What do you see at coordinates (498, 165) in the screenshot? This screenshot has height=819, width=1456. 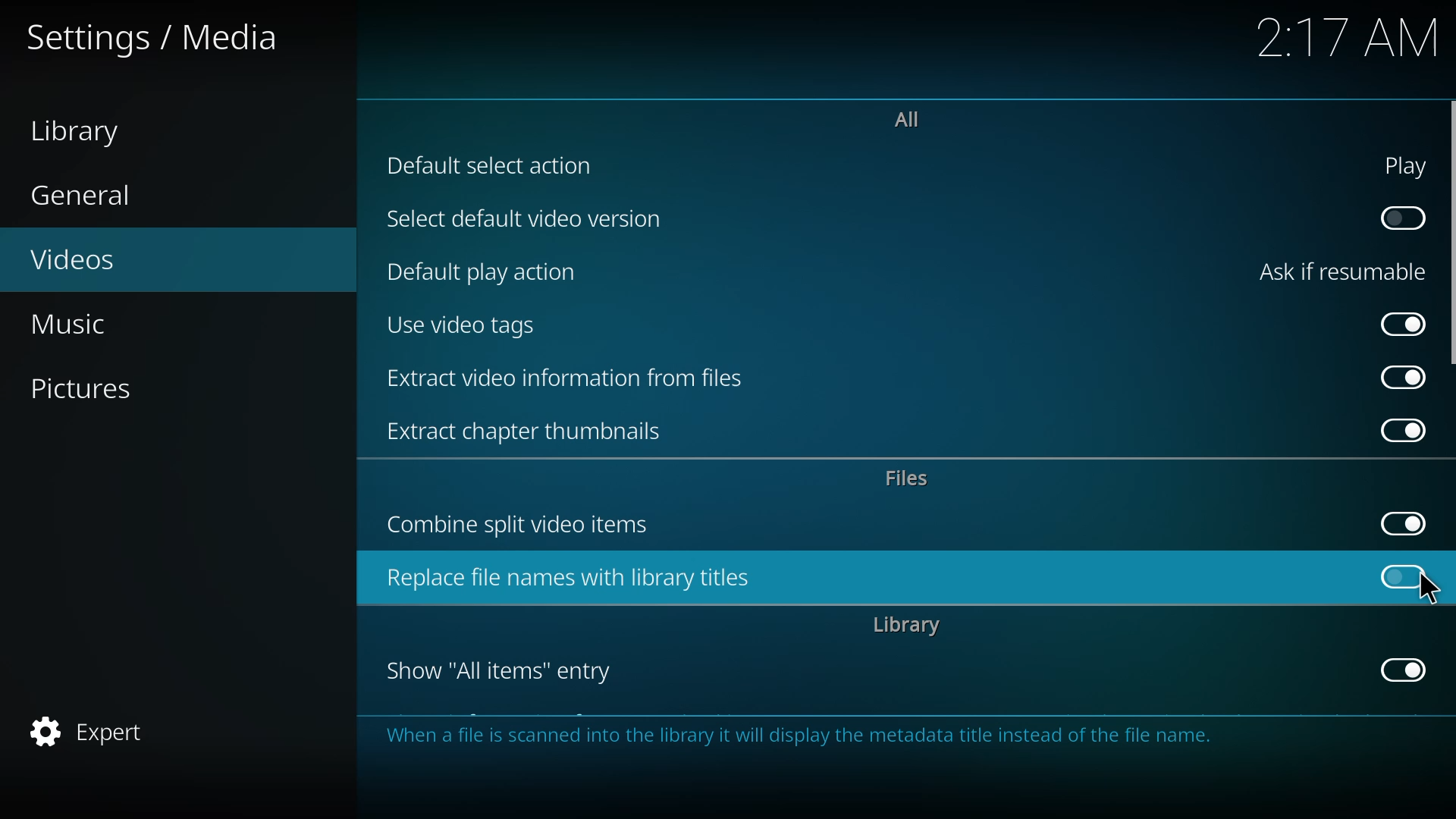 I see `default selection` at bounding box center [498, 165].